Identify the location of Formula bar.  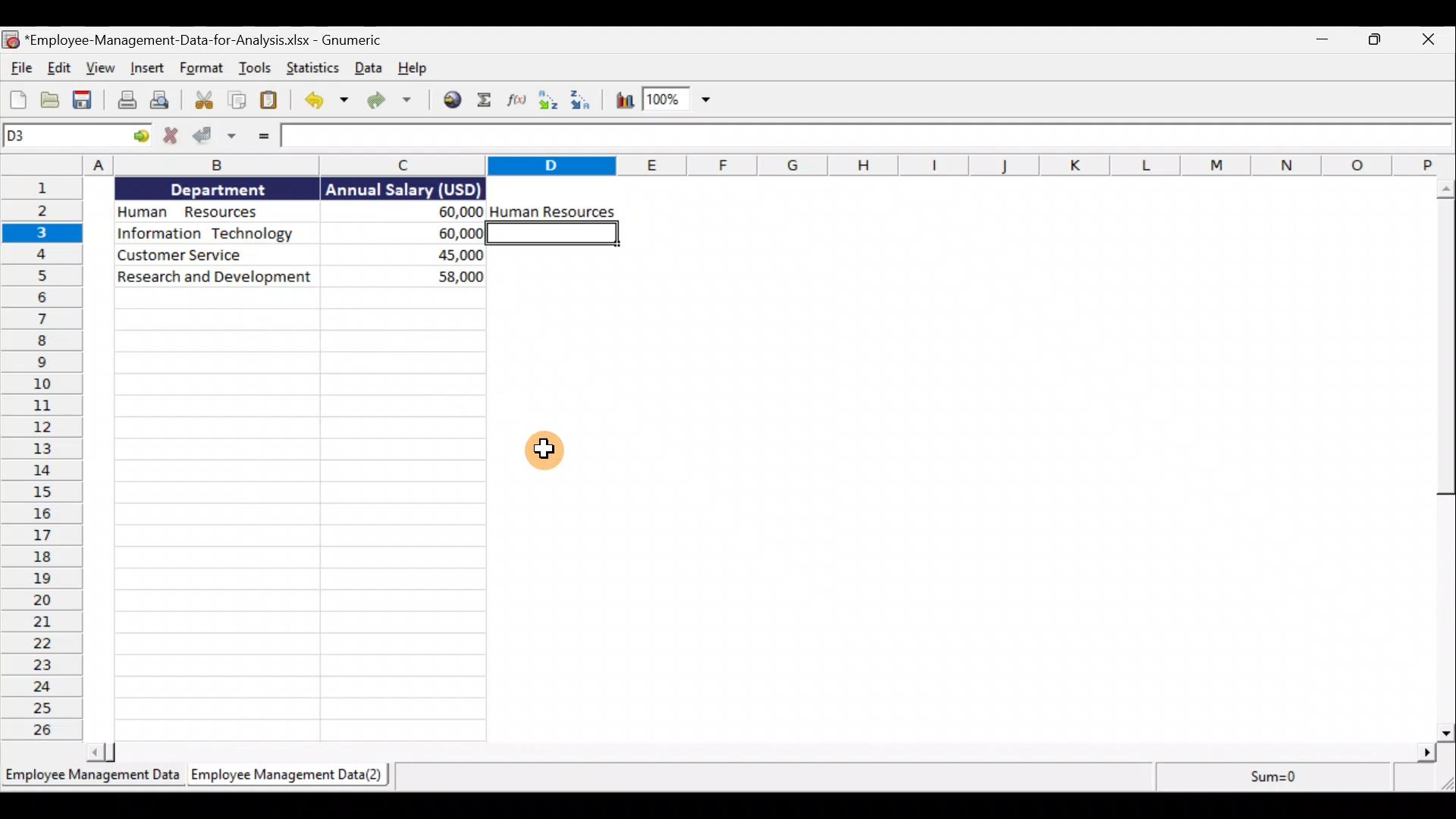
(861, 136).